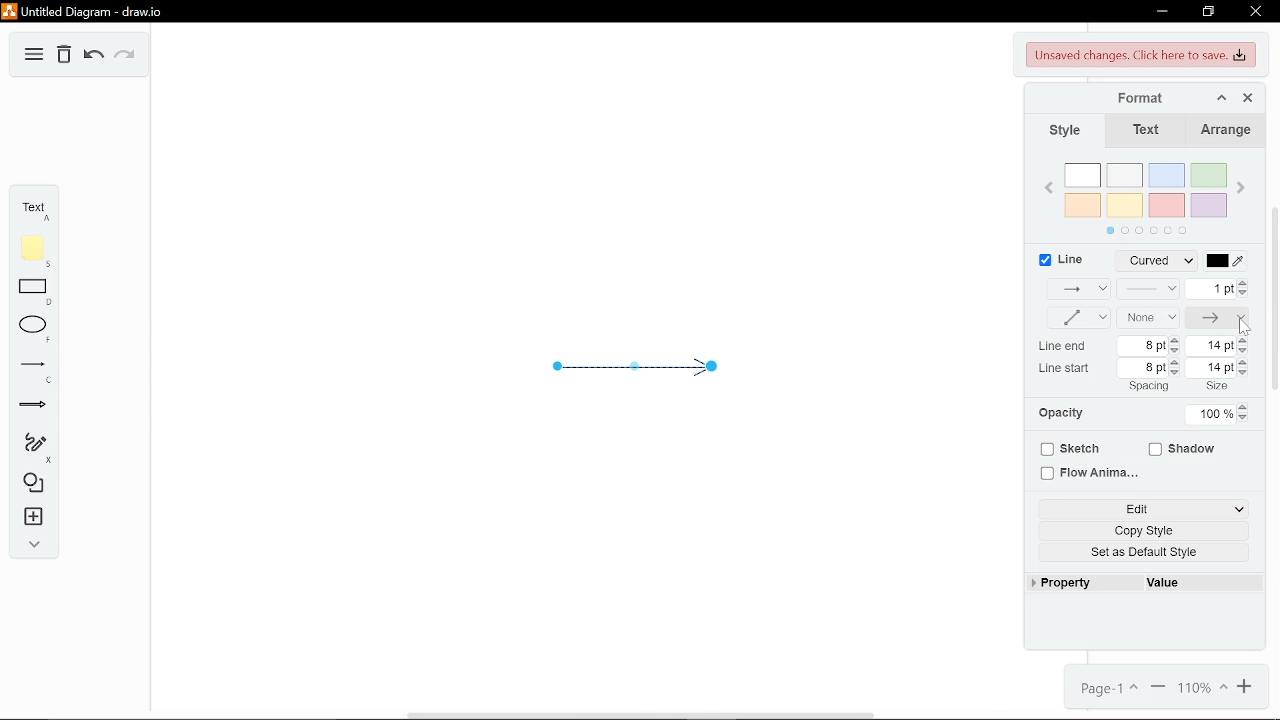 This screenshot has height=720, width=1280. Describe the element at coordinates (1212, 367) in the screenshot. I see `Current line start size` at that location.